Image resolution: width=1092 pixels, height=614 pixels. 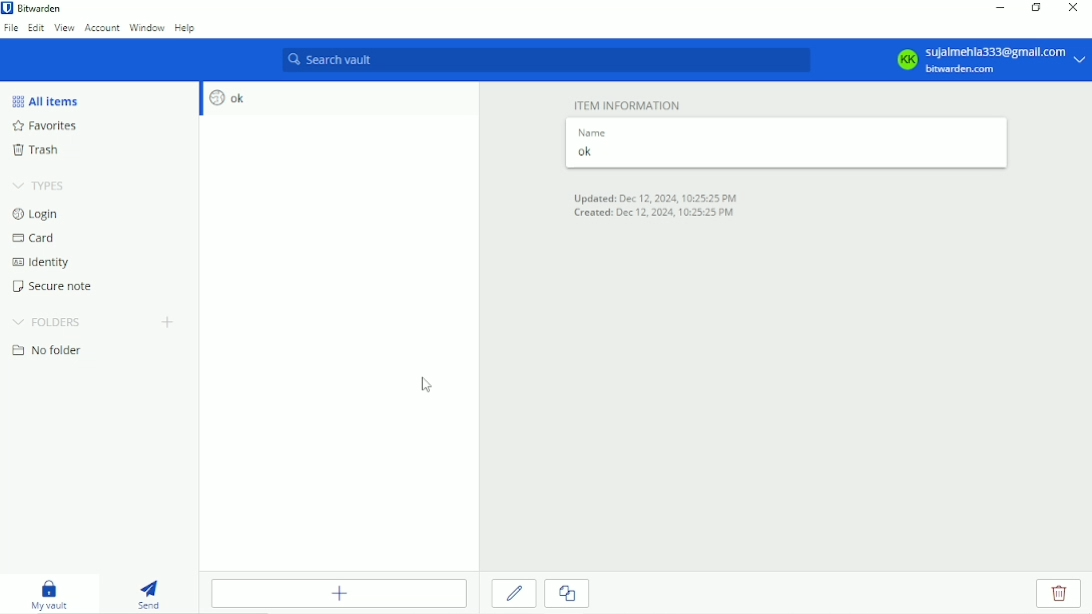 What do you see at coordinates (64, 27) in the screenshot?
I see `View` at bounding box center [64, 27].